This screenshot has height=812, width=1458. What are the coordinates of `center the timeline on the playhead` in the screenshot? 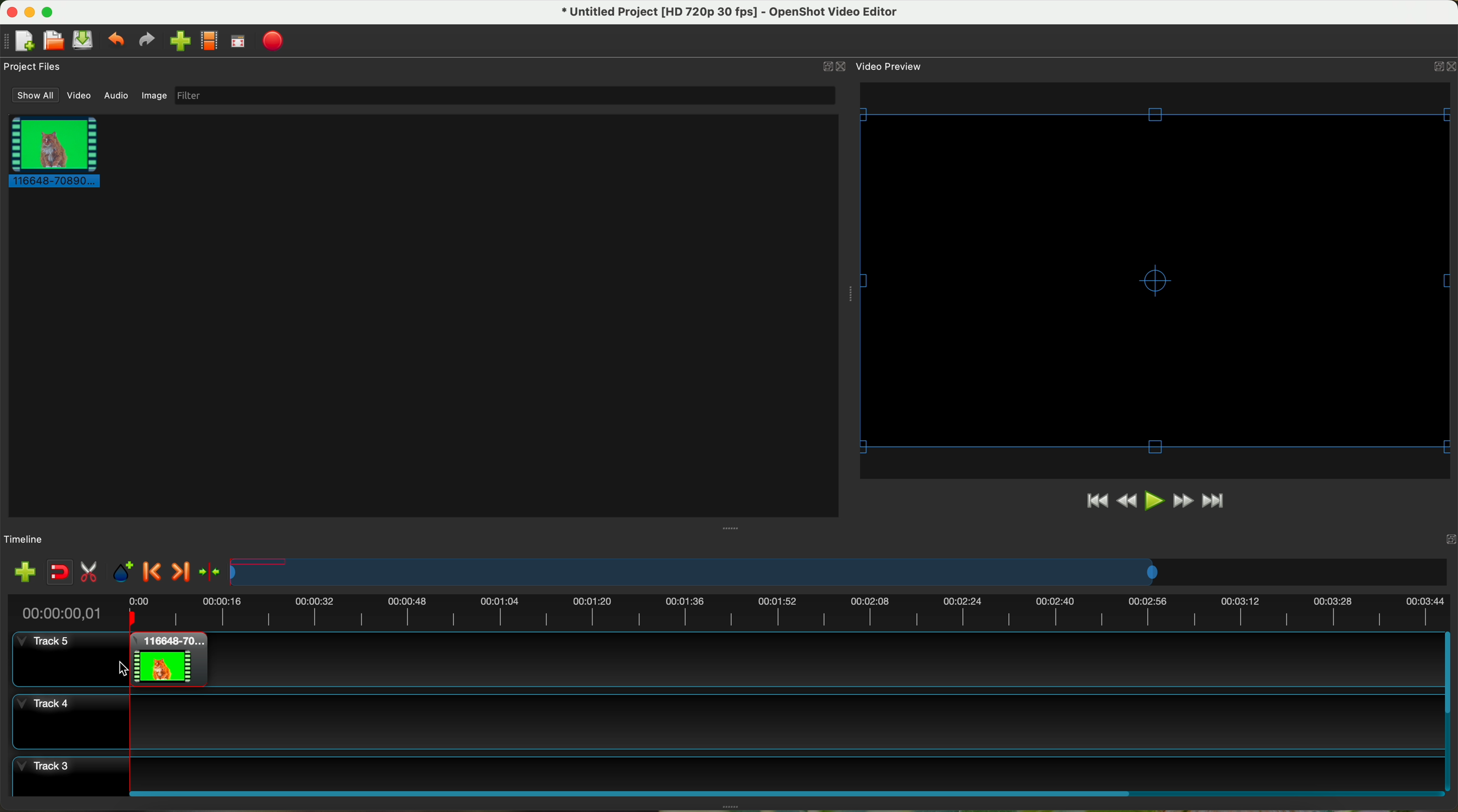 It's located at (211, 573).